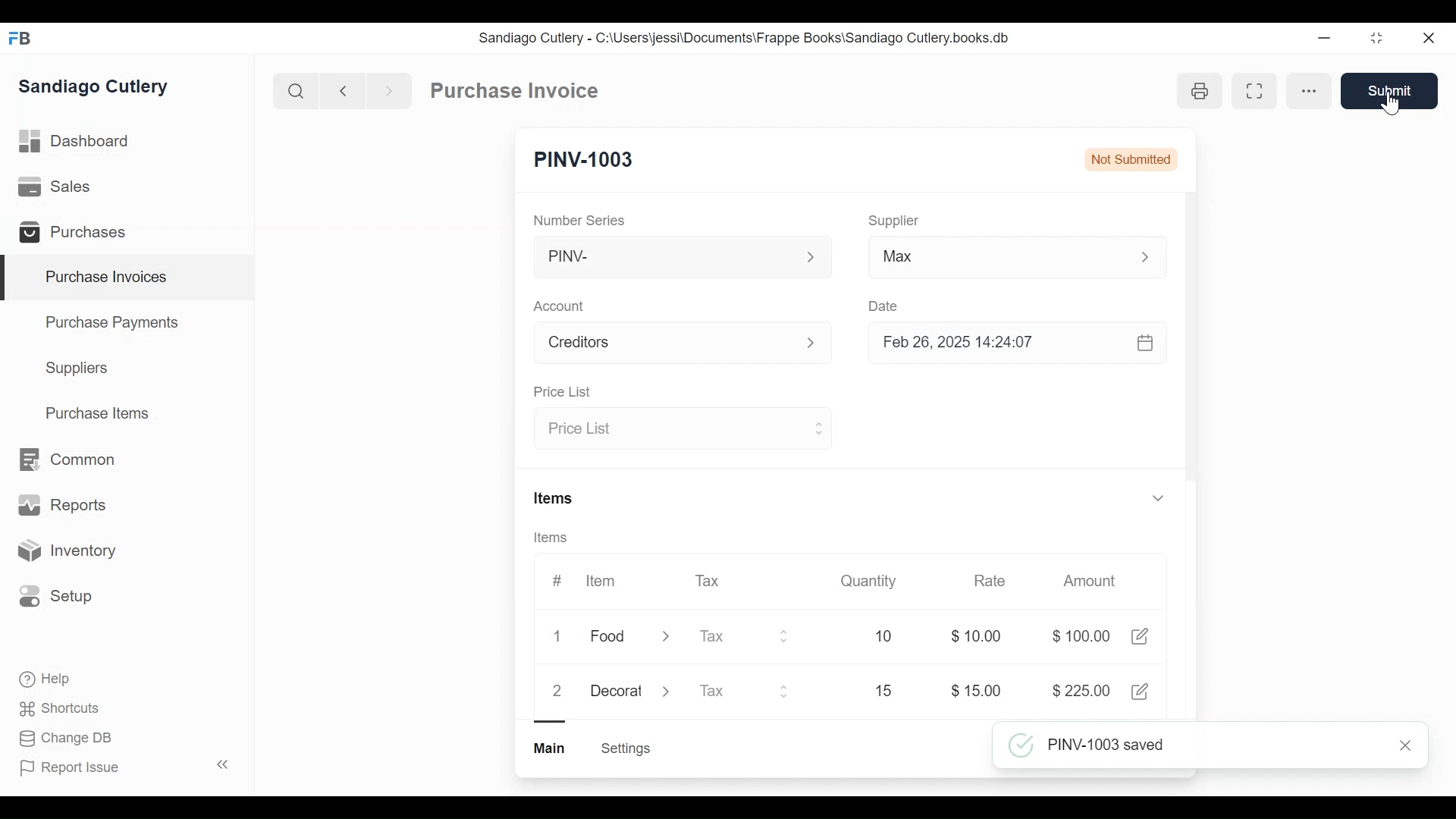 This screenshot has width=1456, height=819. What do you see at coordinates (98, 415) in the screenshot?
I see `Purchase Items` at bounding box center [98, 415].